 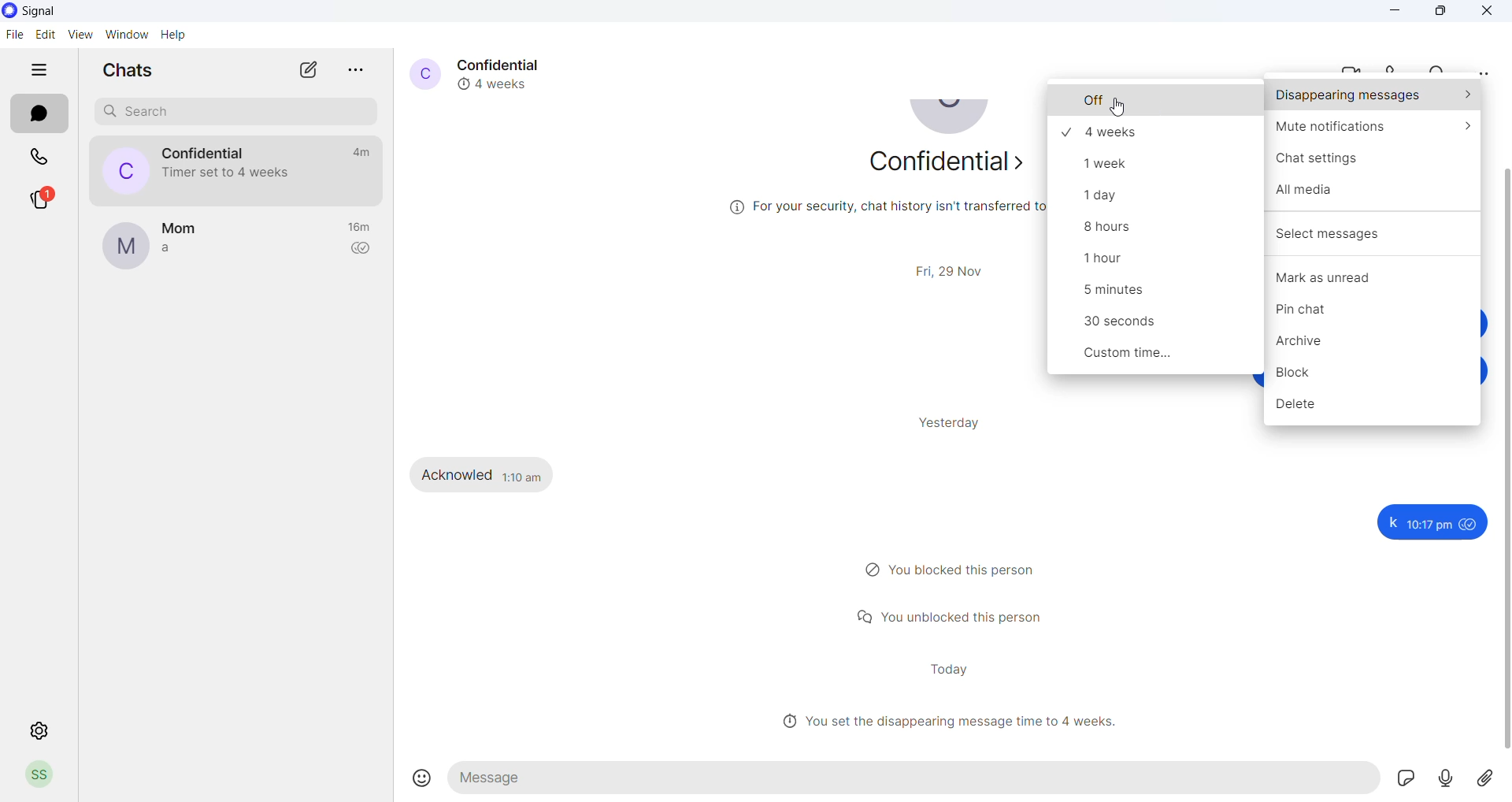 I want to click on today heading, so click(x=949, y=669).